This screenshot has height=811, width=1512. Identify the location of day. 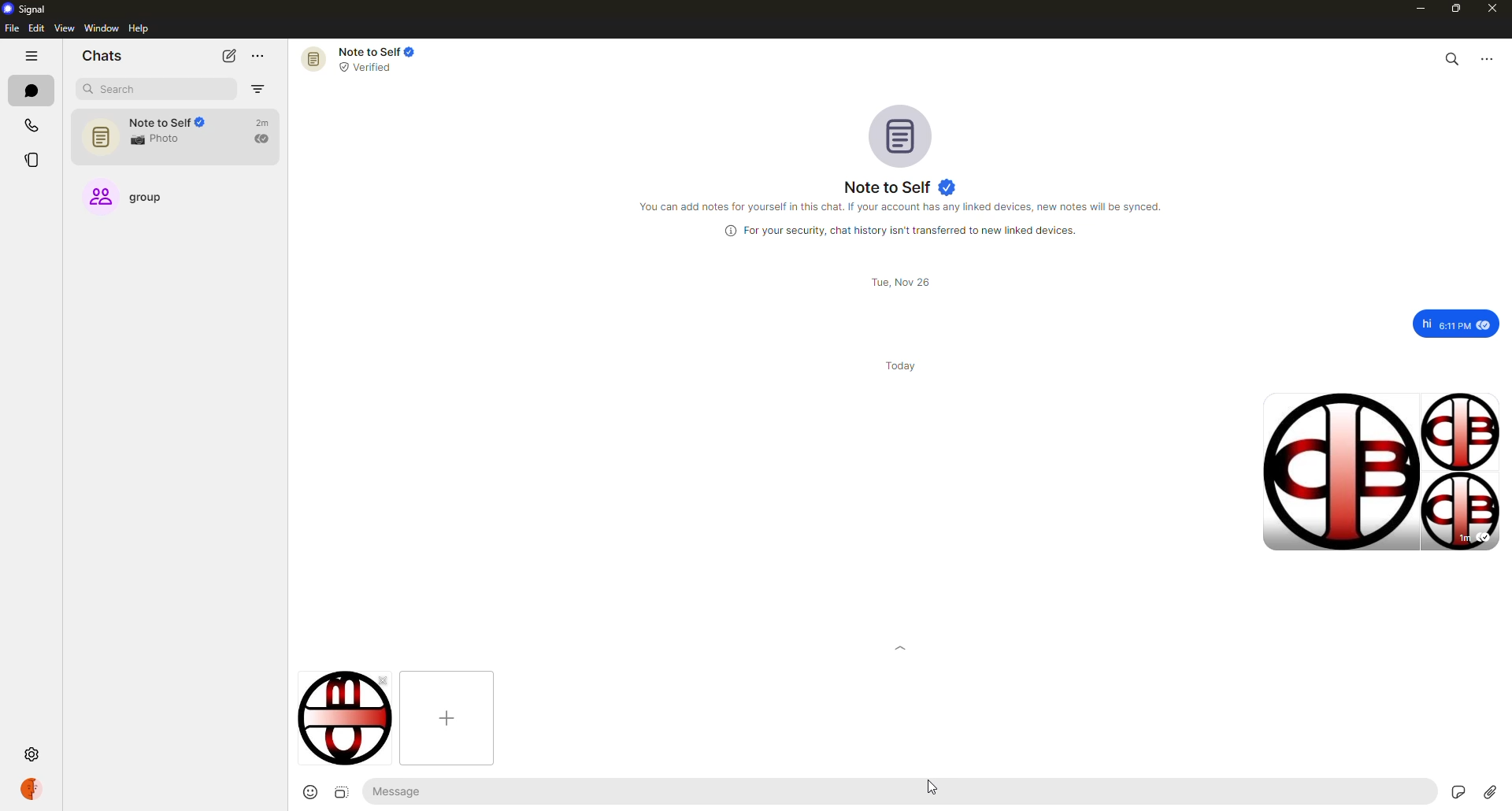
(902, 365).